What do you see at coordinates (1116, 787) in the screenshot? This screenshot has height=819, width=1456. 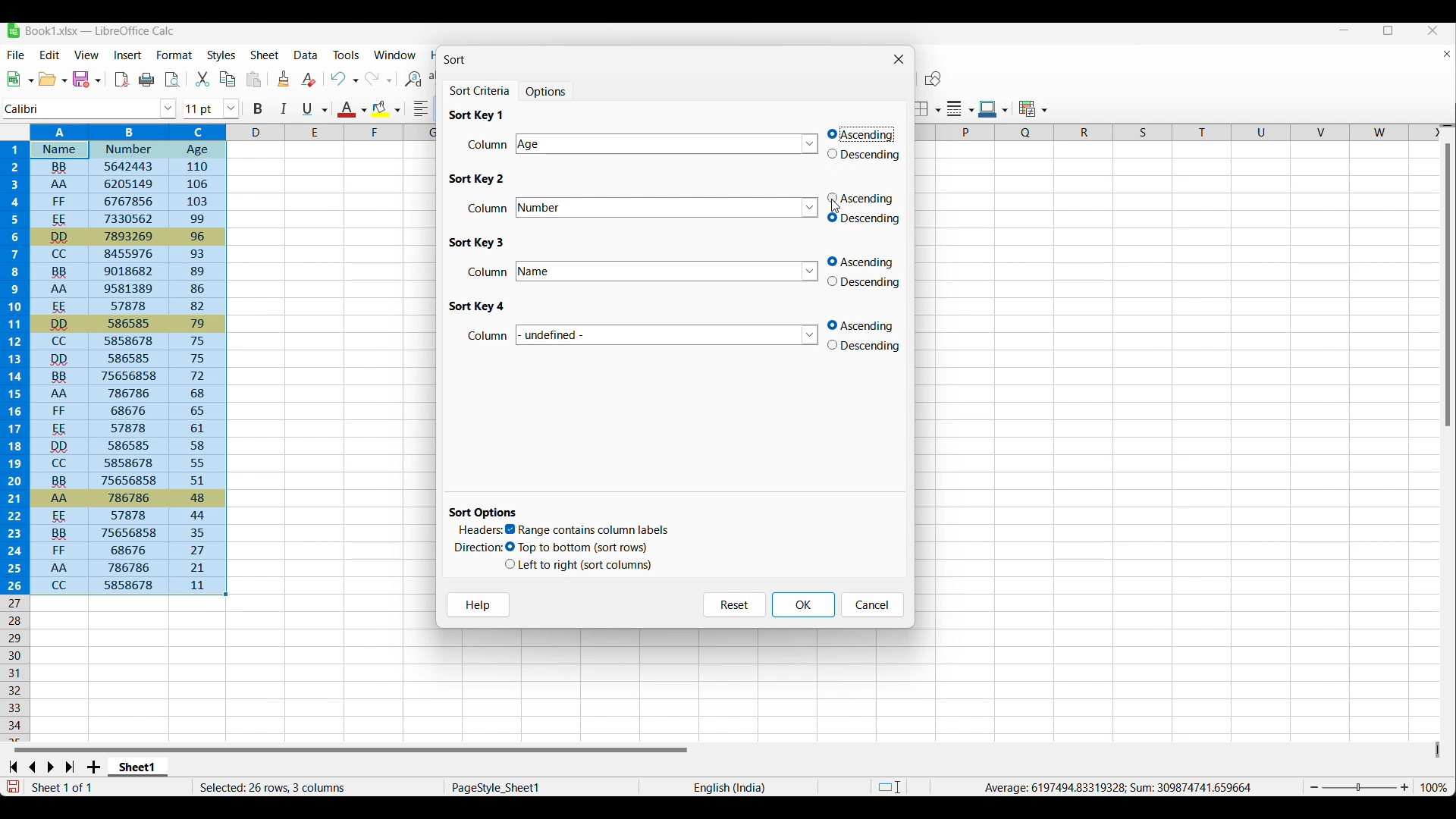 I see `Average and Sum` at bounding box center [1116, 787].